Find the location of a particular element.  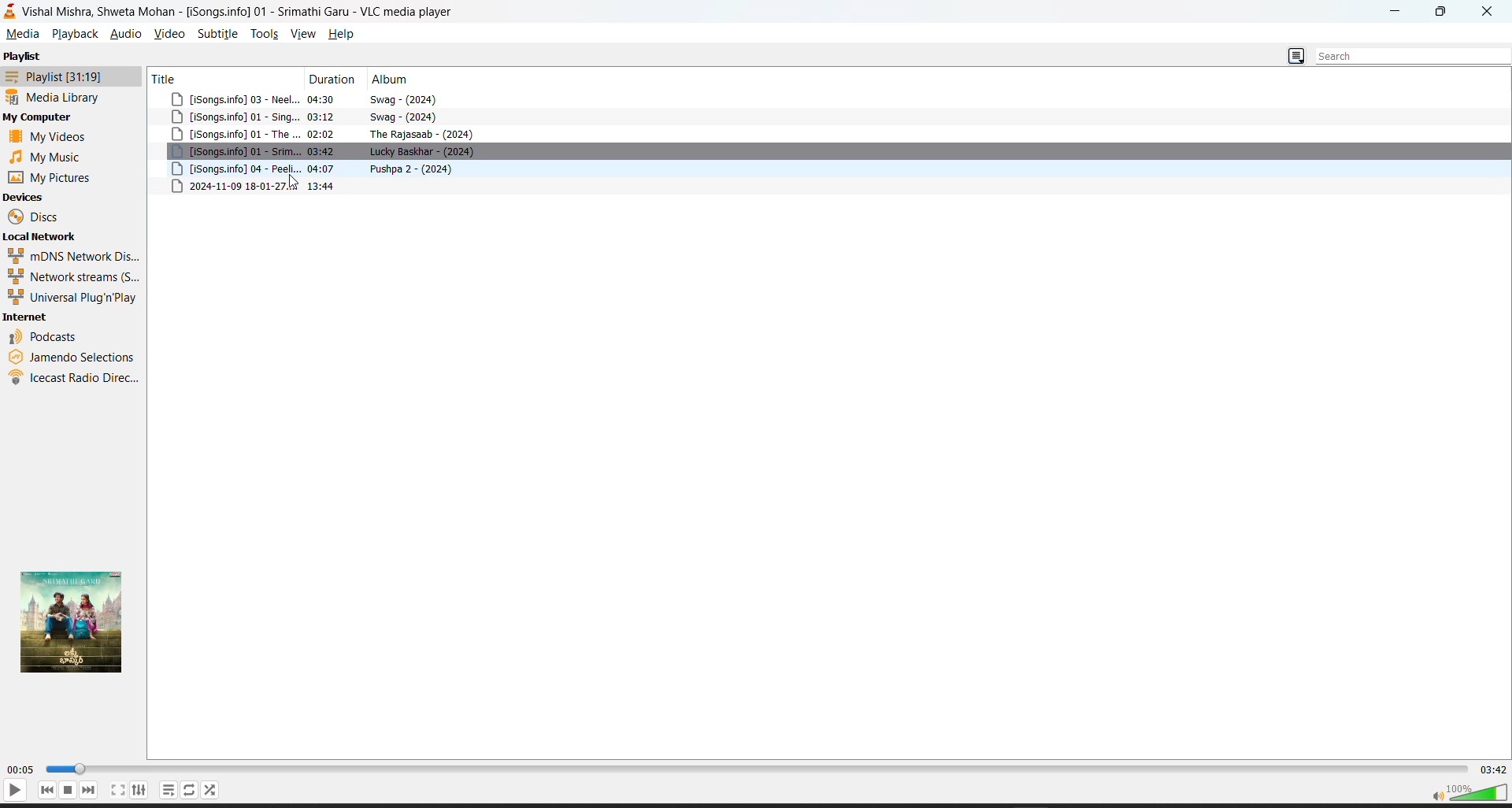

04:07 is located at coordinates (319, 168).